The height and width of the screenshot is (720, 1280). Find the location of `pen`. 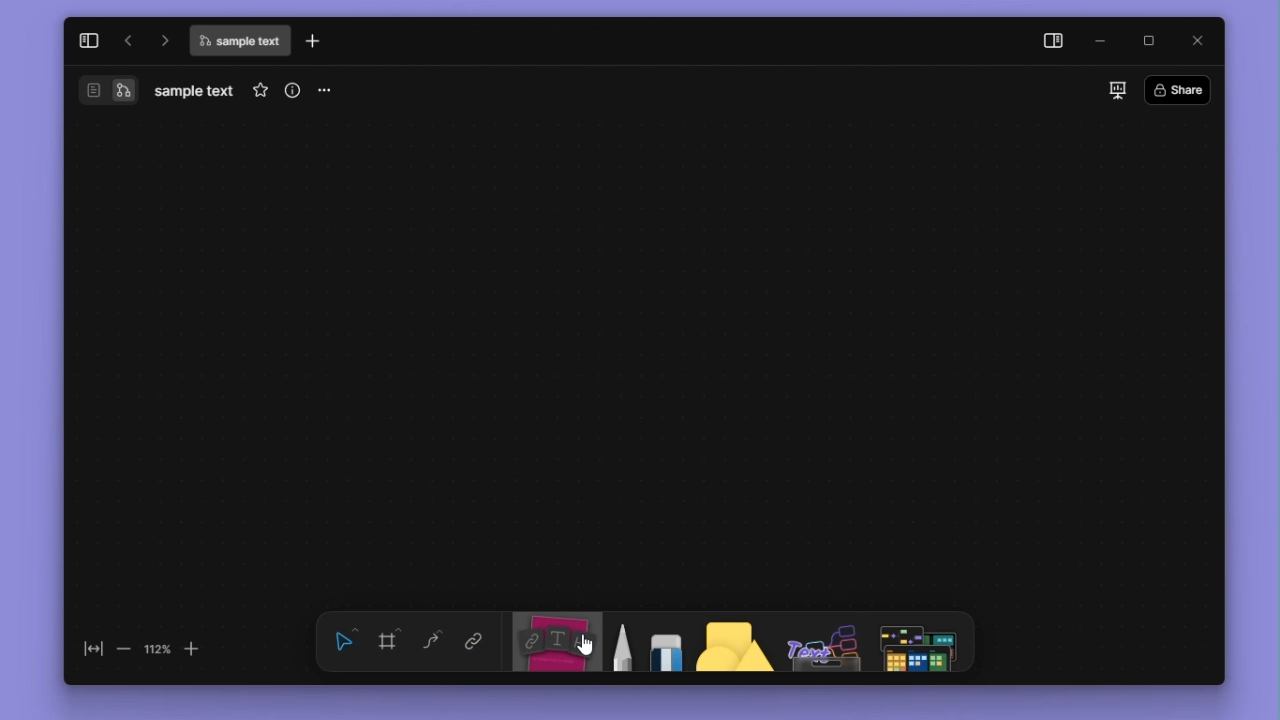

pen is located at coordinates (625, 642).